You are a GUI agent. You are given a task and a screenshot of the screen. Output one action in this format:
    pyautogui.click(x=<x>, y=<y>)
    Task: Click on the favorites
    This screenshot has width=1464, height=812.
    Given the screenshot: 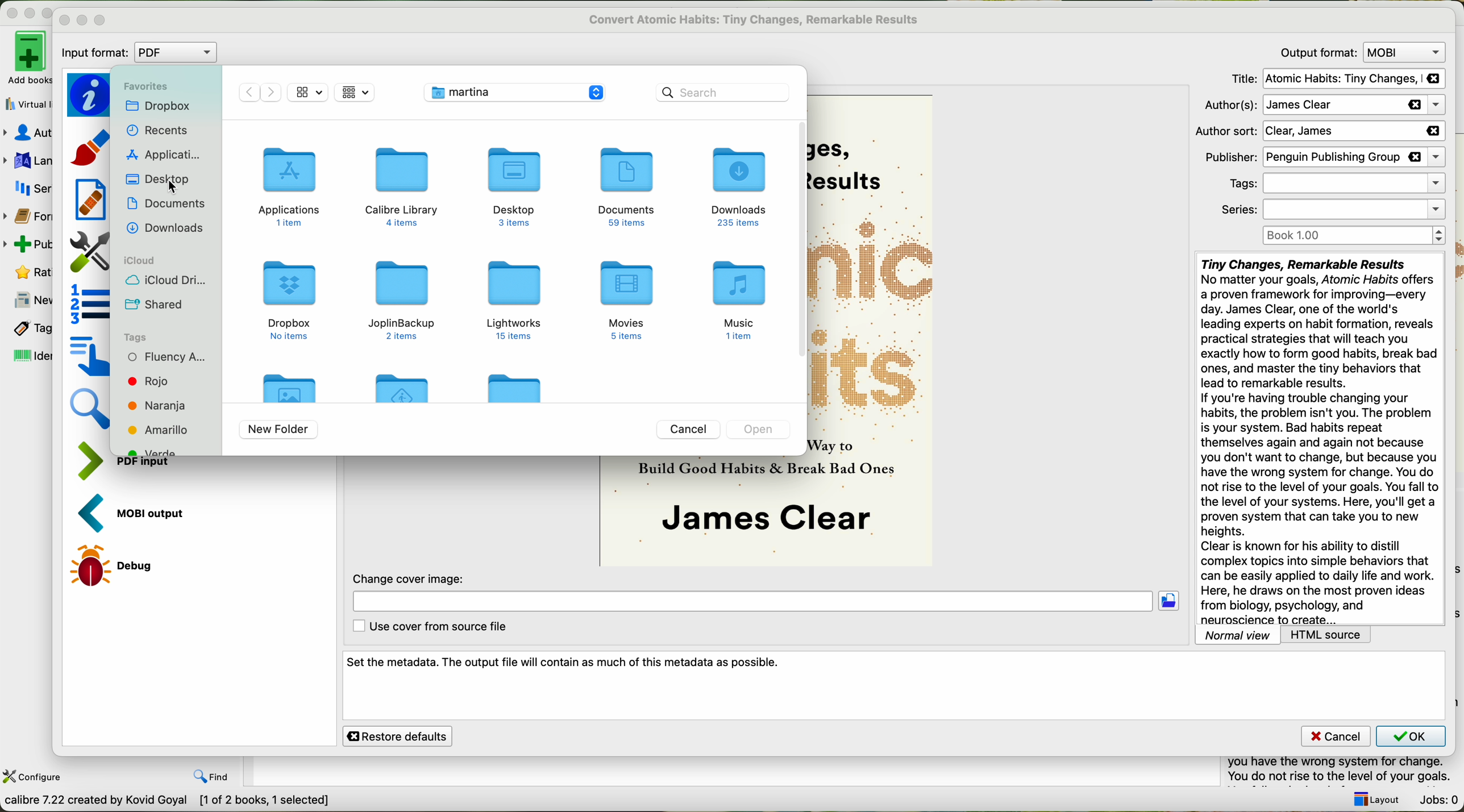 What is the action you would take?
    pyautogui.click(x=144, y=86)
    